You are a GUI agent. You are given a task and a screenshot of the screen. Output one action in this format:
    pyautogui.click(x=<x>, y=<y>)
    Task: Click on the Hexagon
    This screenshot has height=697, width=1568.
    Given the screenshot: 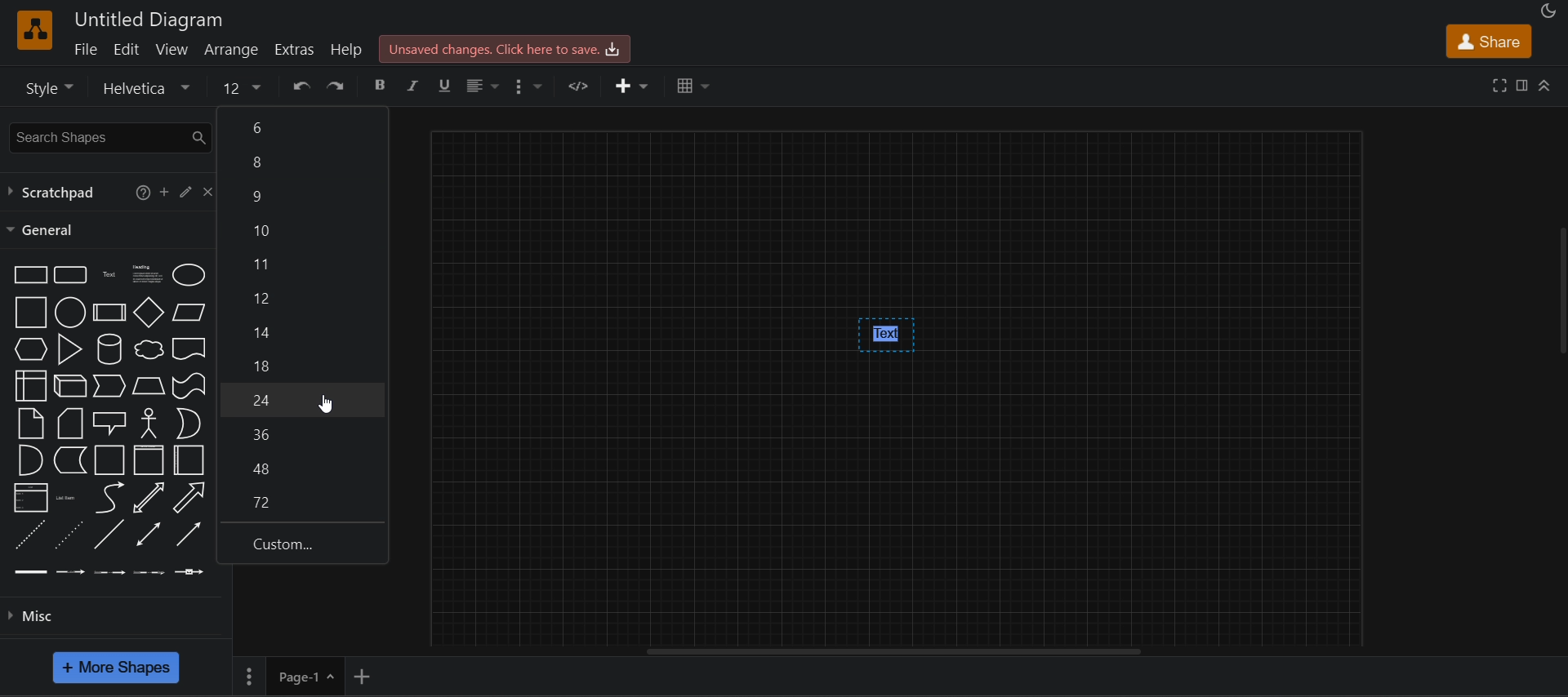 What is the action you would take?
    pyautogui.click(x=31, y=349)
    